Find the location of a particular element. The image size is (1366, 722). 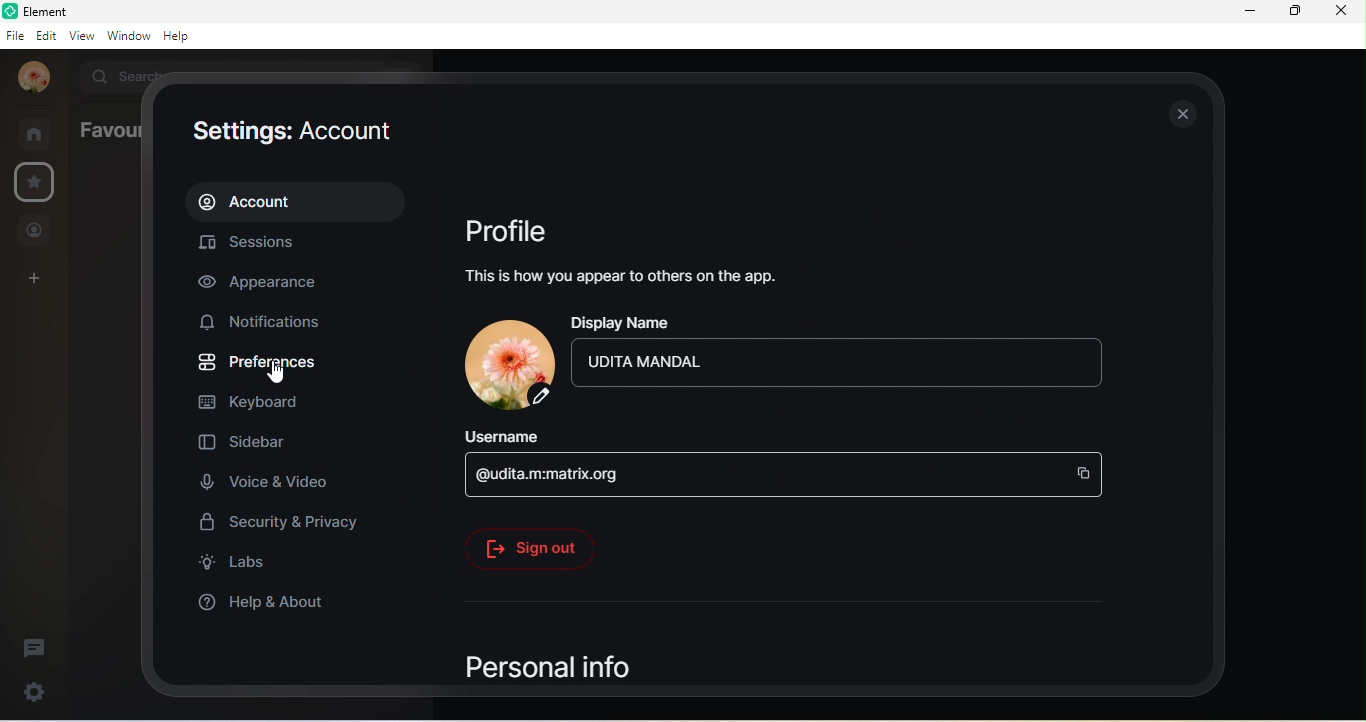

appearance is located at coordinates (263, 284).